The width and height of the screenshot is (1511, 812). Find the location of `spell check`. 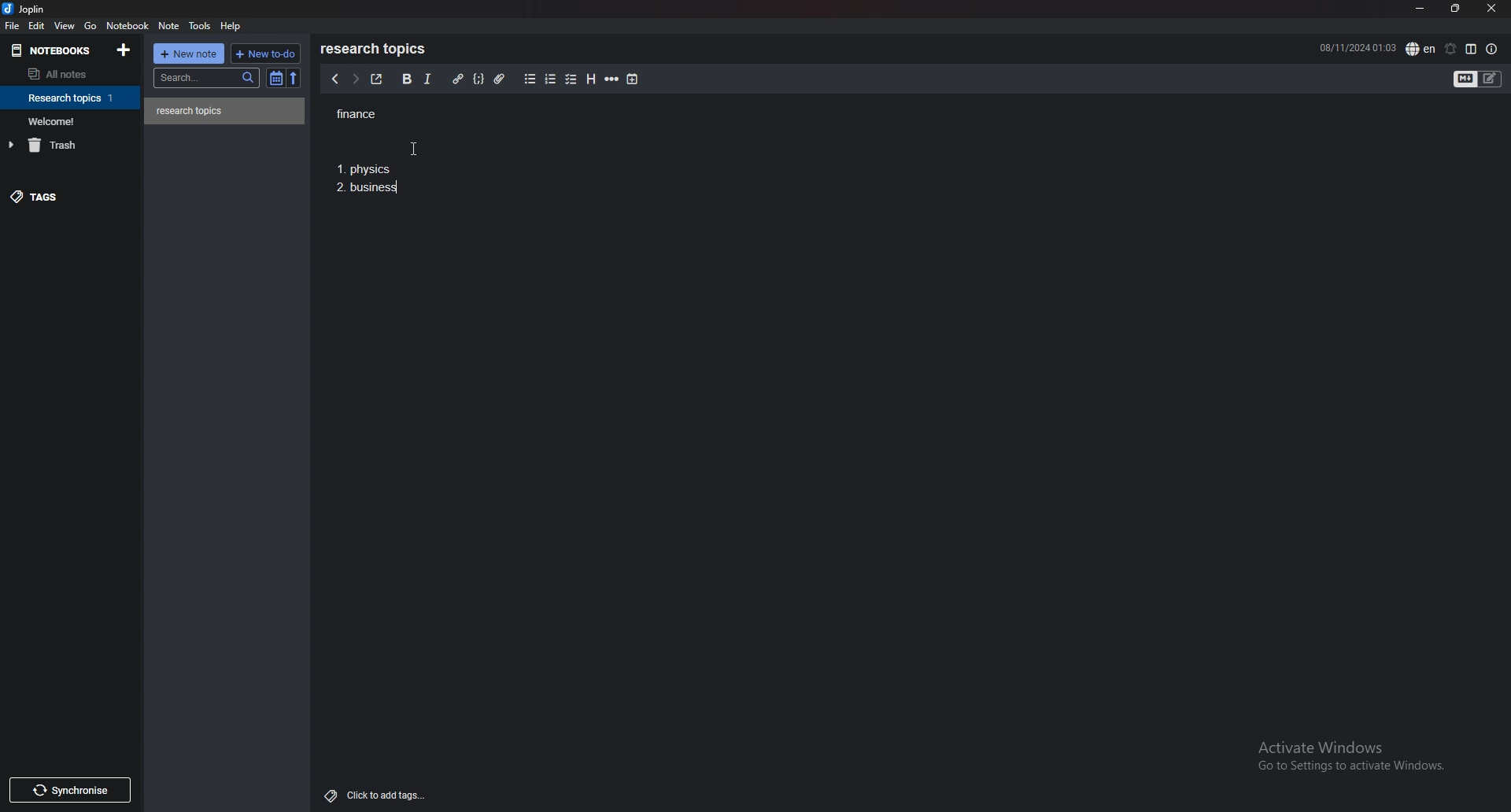

spell check is located at coordinates (1420, 48).